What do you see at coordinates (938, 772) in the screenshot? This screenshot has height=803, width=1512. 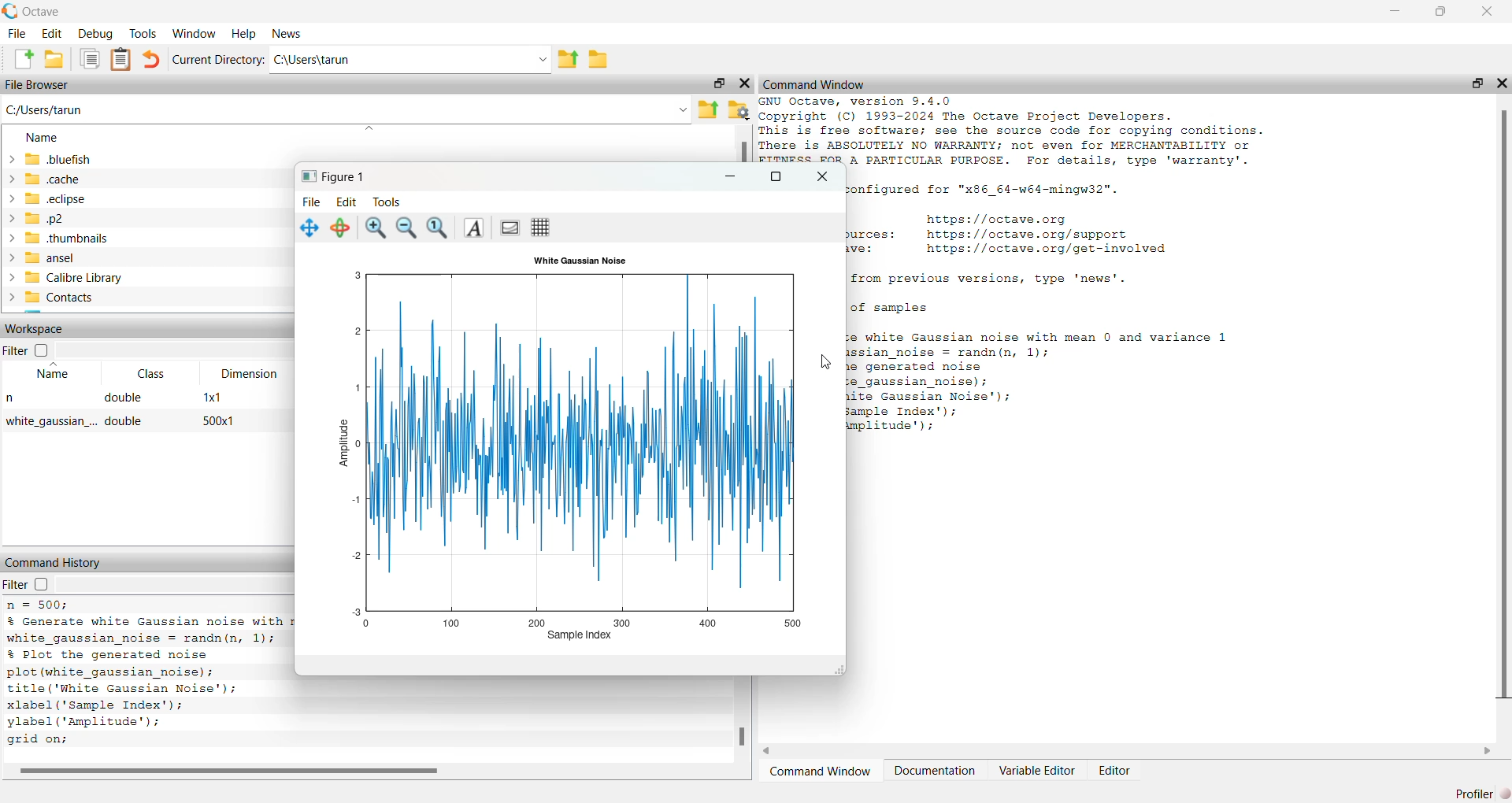 I see `Documentation ` at bounding box center [938, 772].